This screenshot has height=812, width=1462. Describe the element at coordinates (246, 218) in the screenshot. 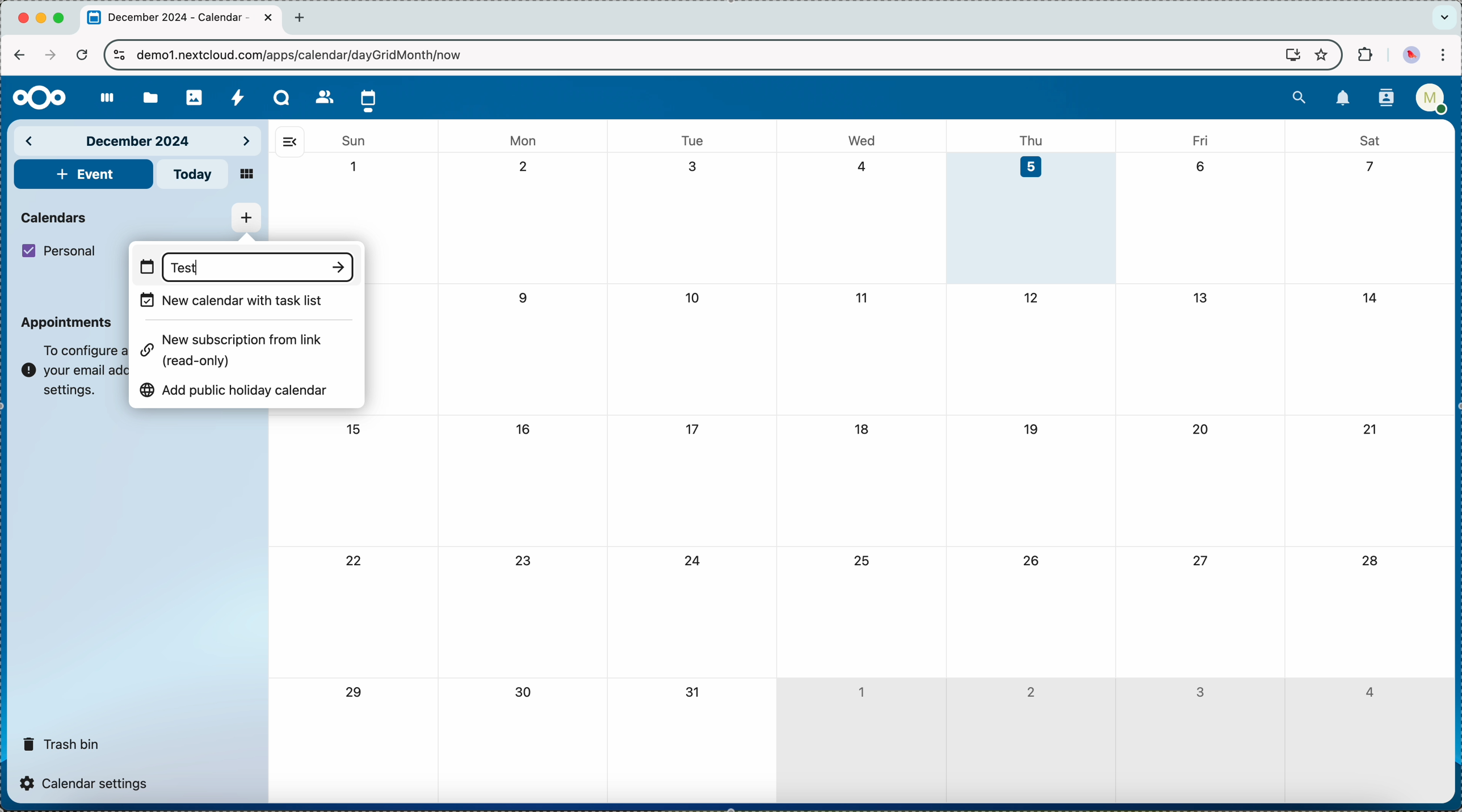

I see `click on add new calendar` at that location.